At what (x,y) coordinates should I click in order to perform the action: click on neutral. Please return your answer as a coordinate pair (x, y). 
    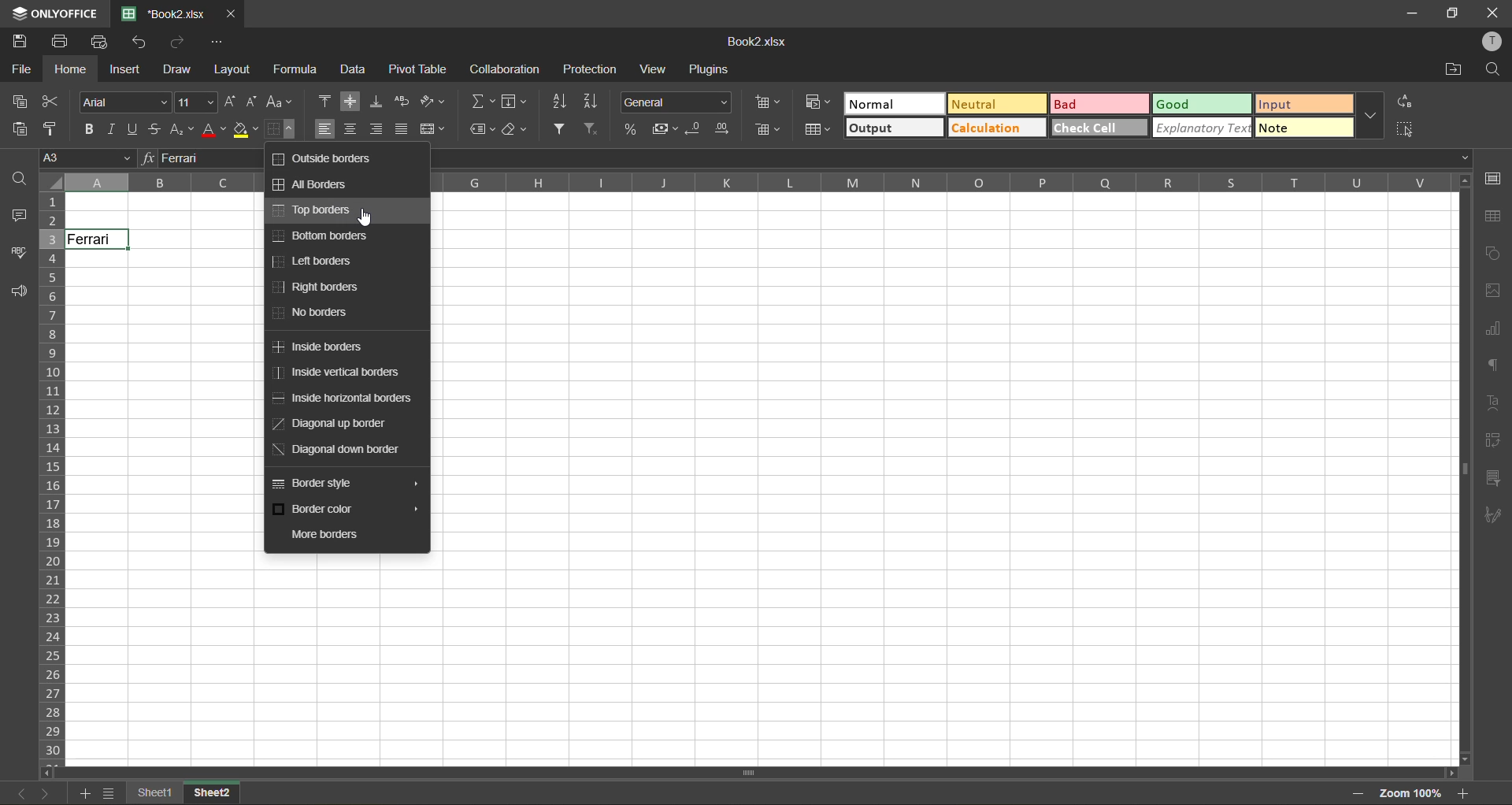
    Looking at the image, I should click on (996, 103).